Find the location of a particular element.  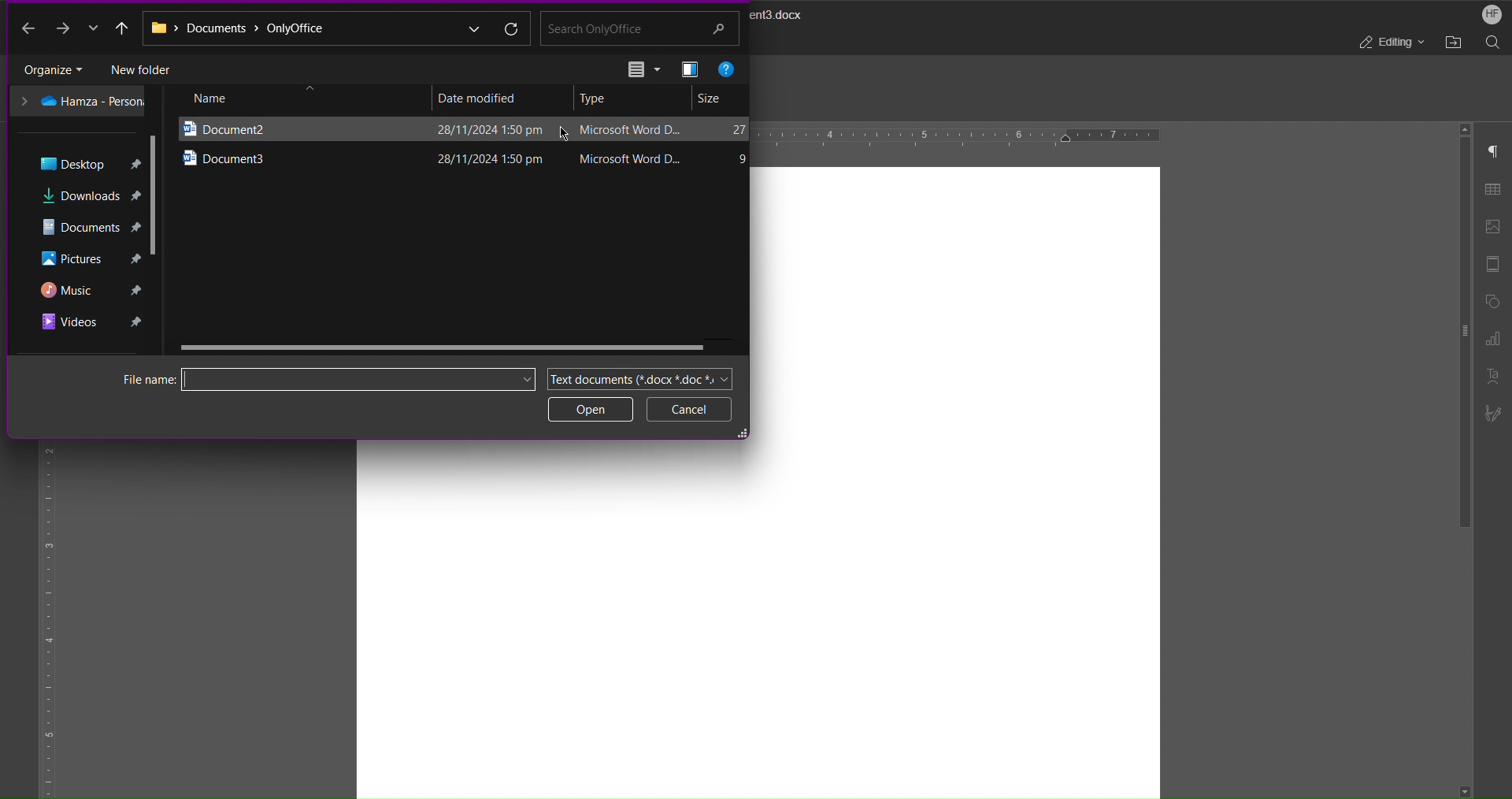

Organize is located at coordinates (56, 69).